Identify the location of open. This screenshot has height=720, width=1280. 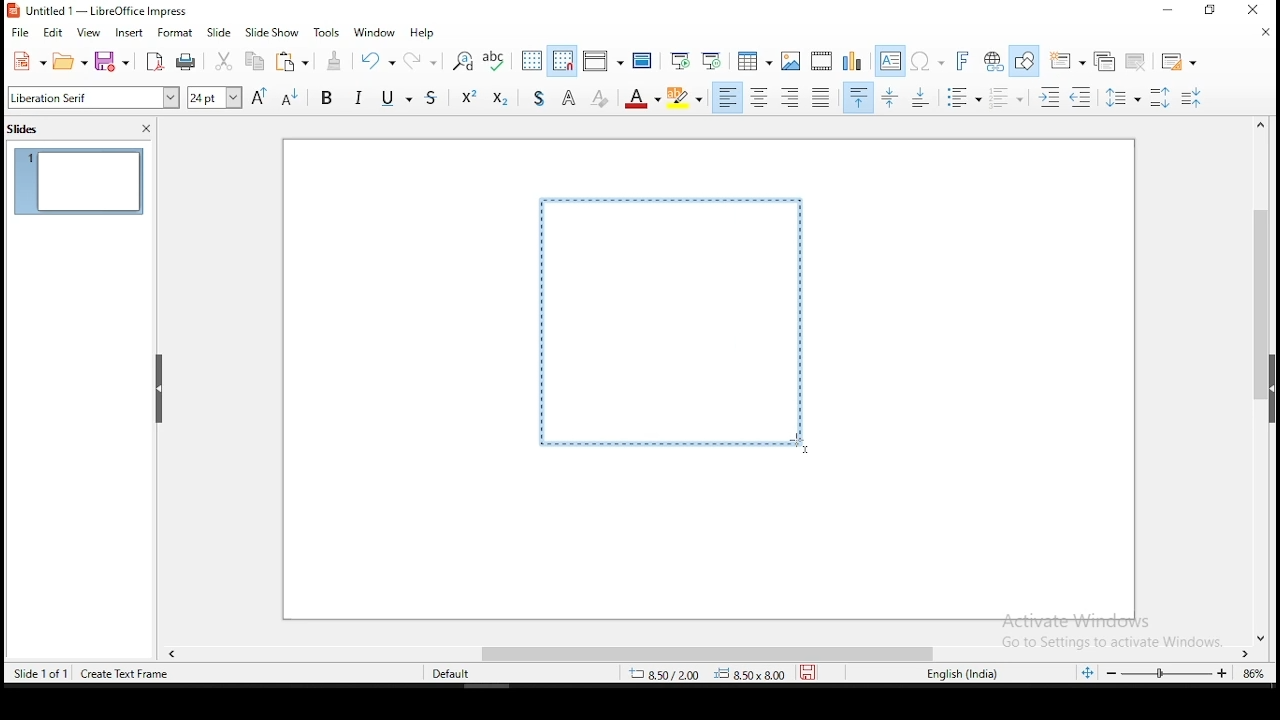
(69, 63).